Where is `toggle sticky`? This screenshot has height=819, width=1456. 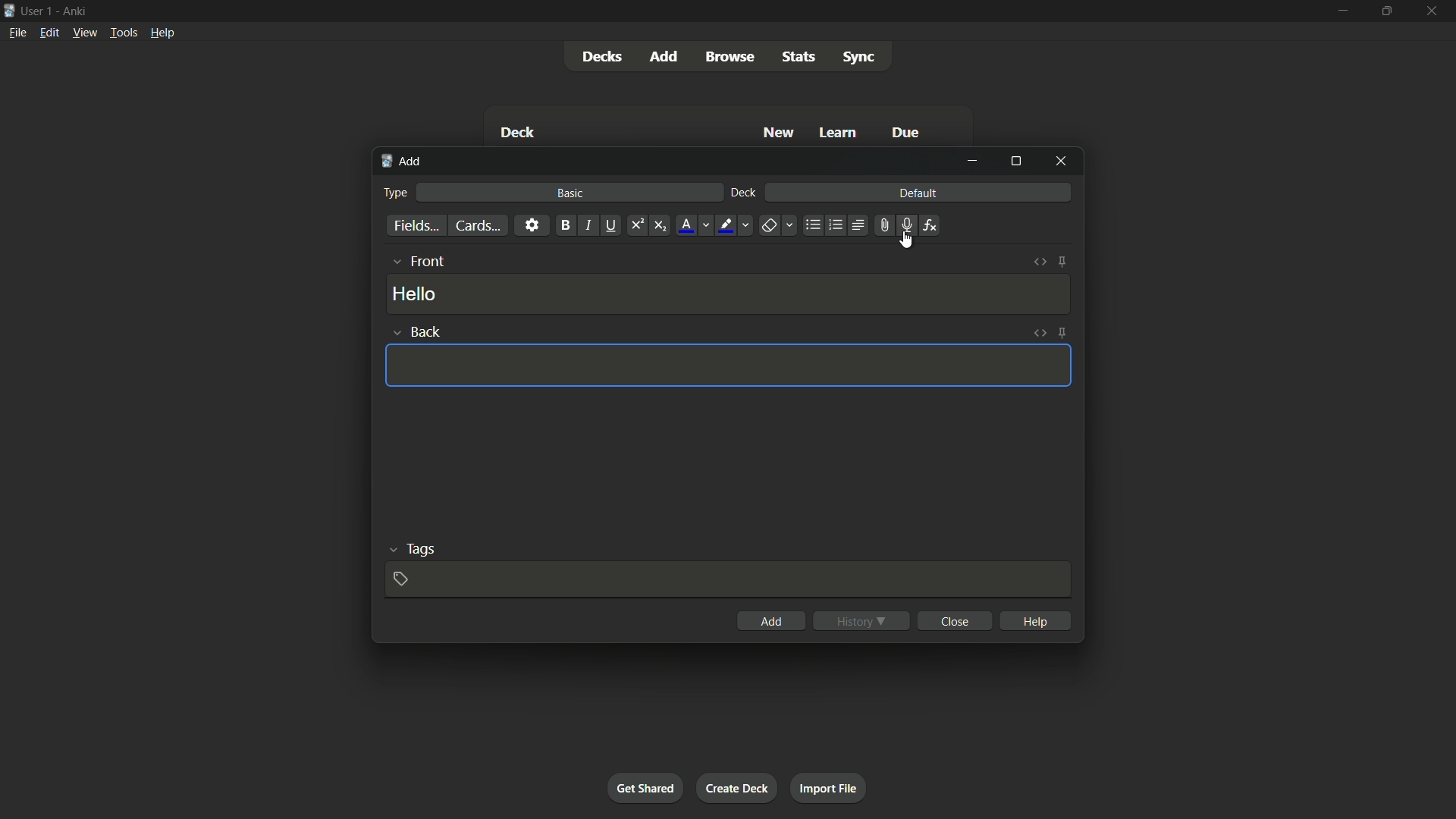 toggle sticky is located at coordinates (1063, 262).